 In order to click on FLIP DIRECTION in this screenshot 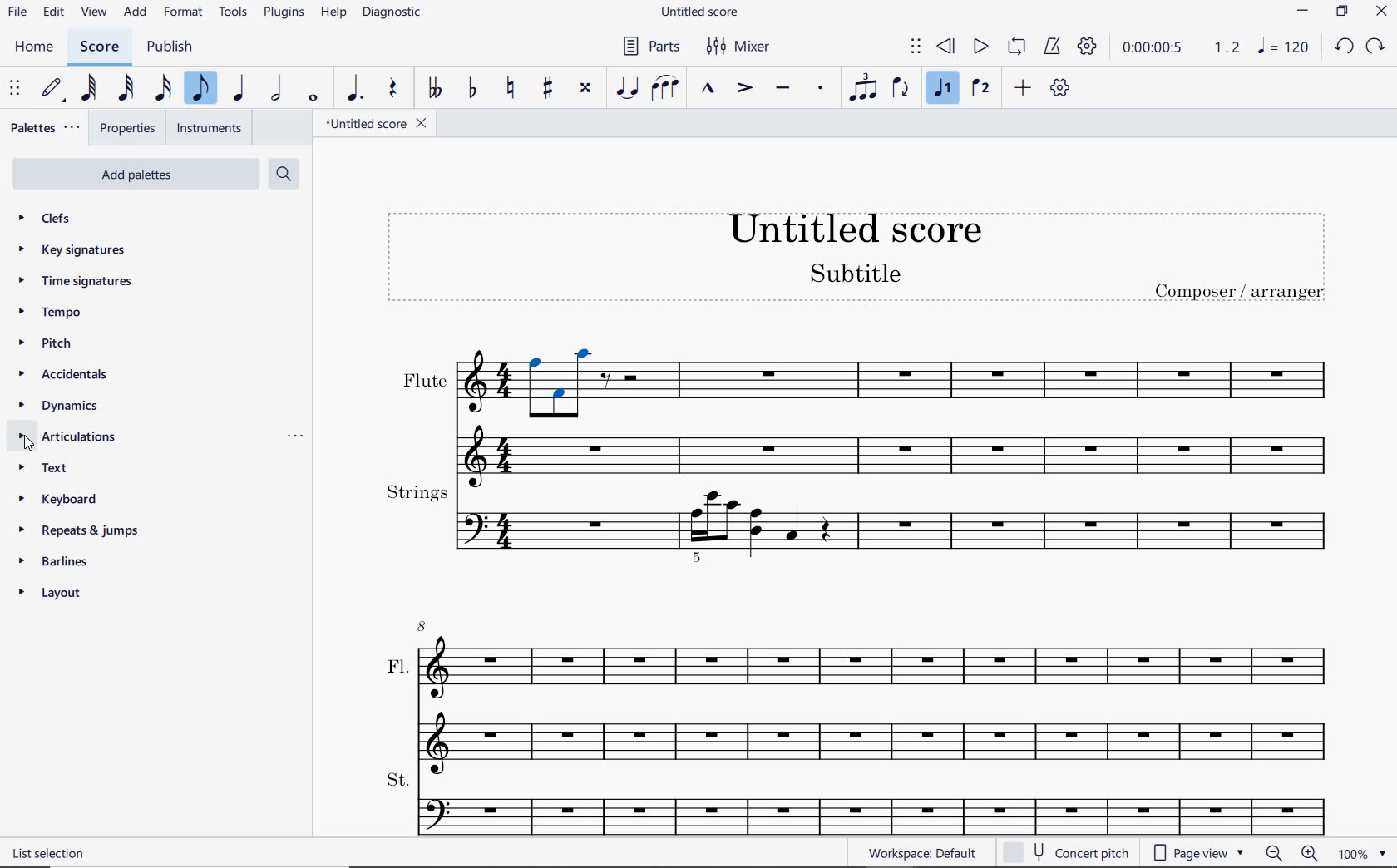, I will do `click(900, 89)`.